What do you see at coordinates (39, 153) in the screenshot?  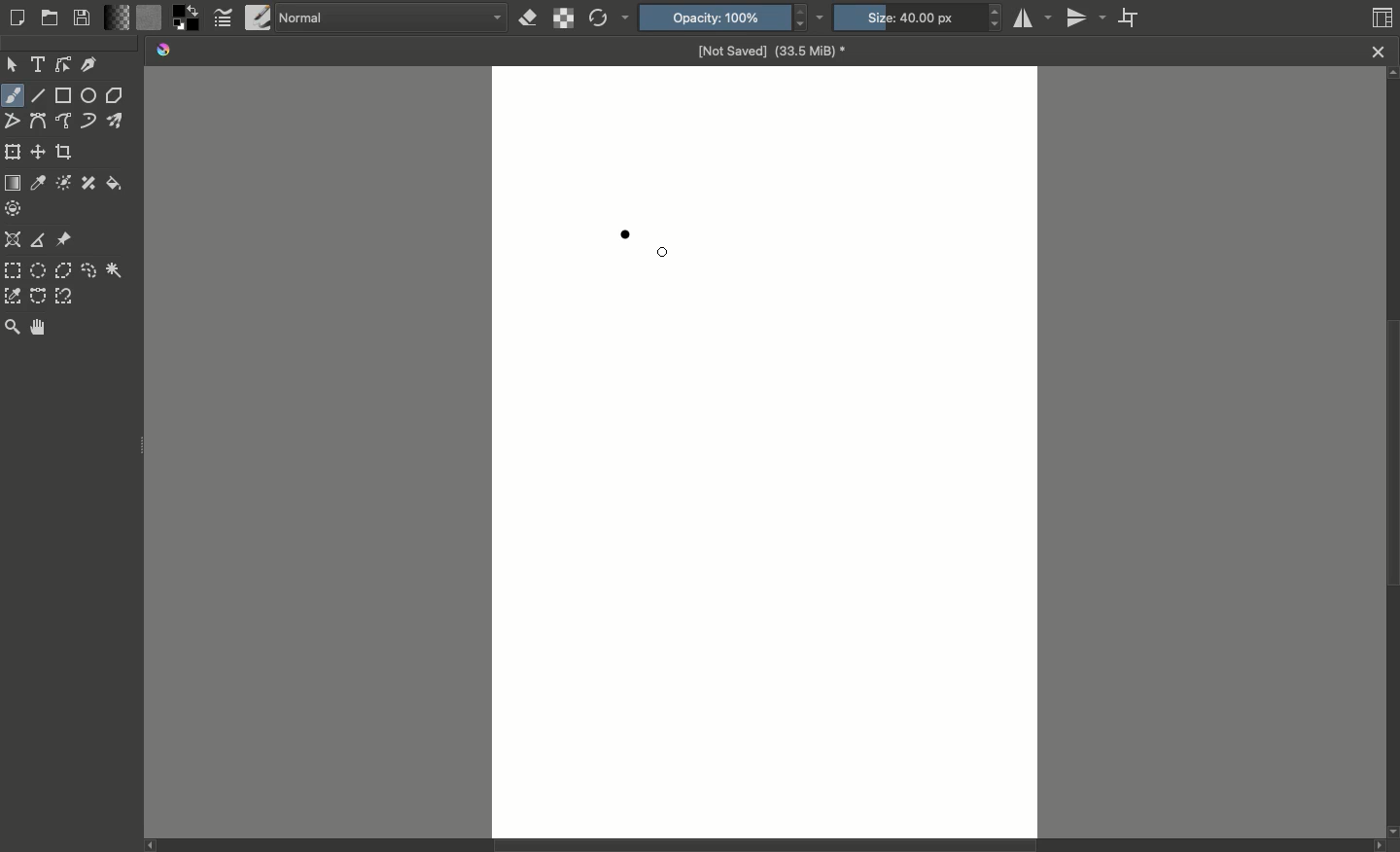 I see `Move a layer` at bounding box center [39, 153].